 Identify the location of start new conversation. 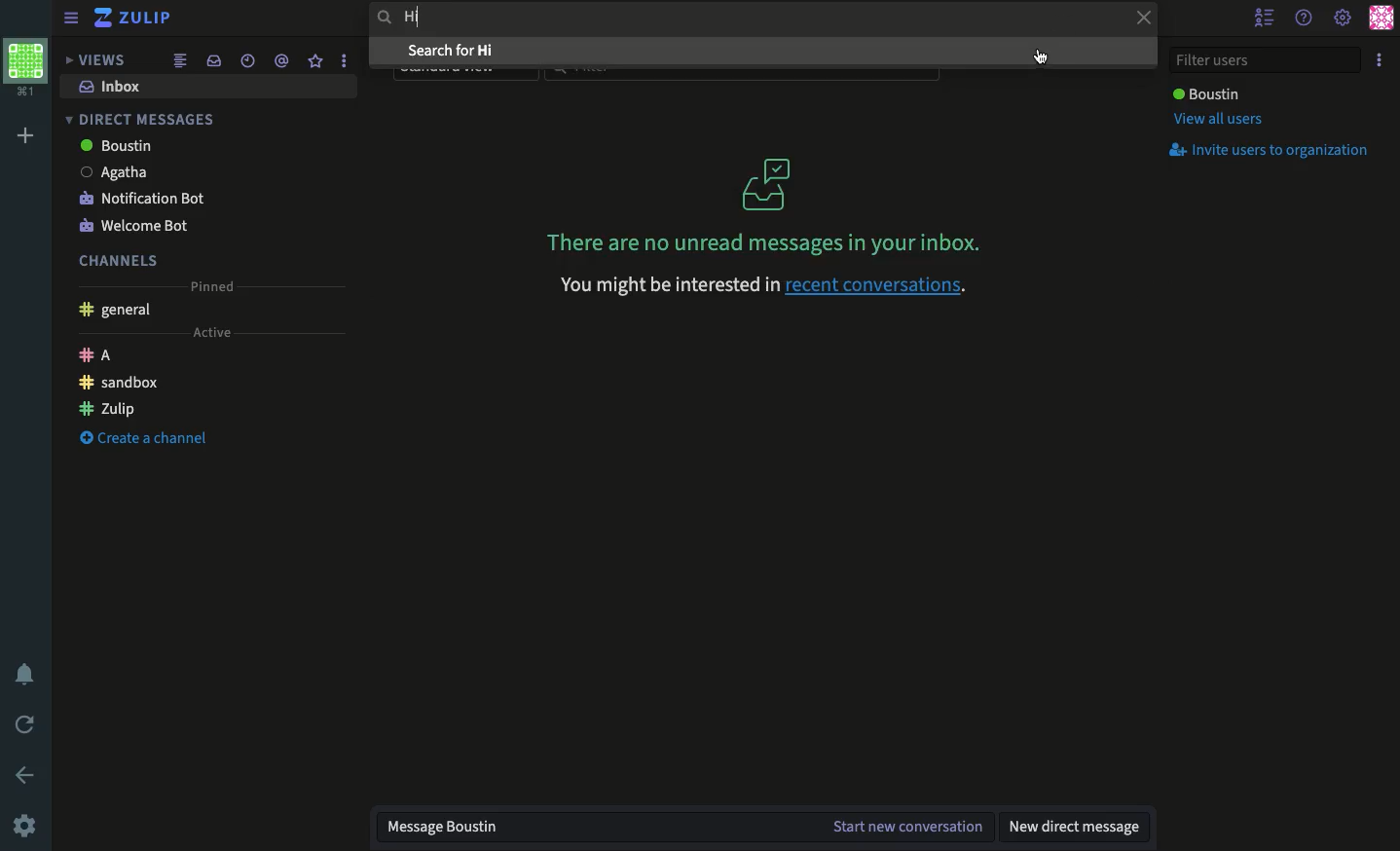
(909, 830).